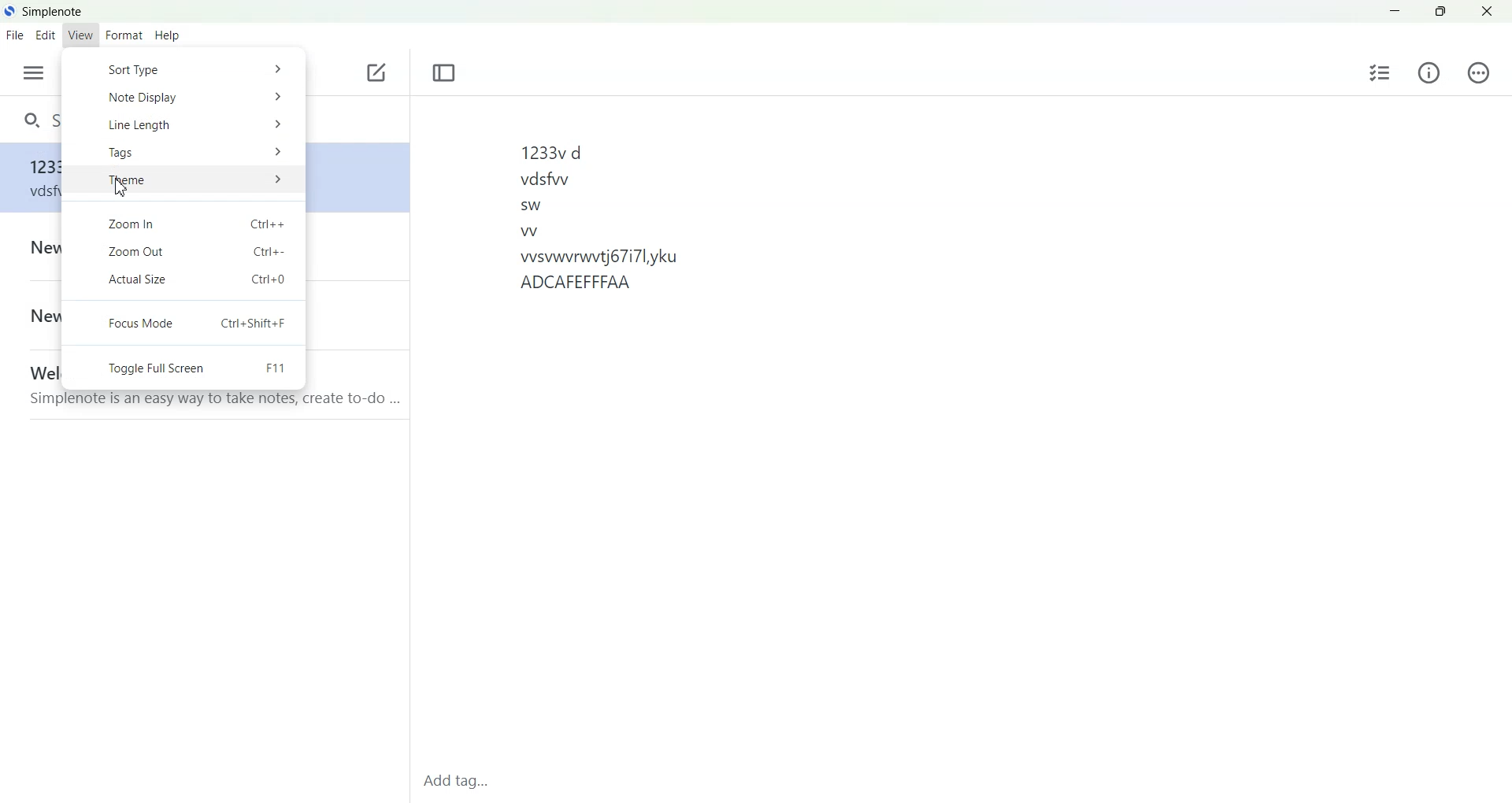 This screenshot has height=803, width=1512. What do you see at coordinates (184, 124) in the screenshot?
I see `Line Length` at bounding box center [184, 124].